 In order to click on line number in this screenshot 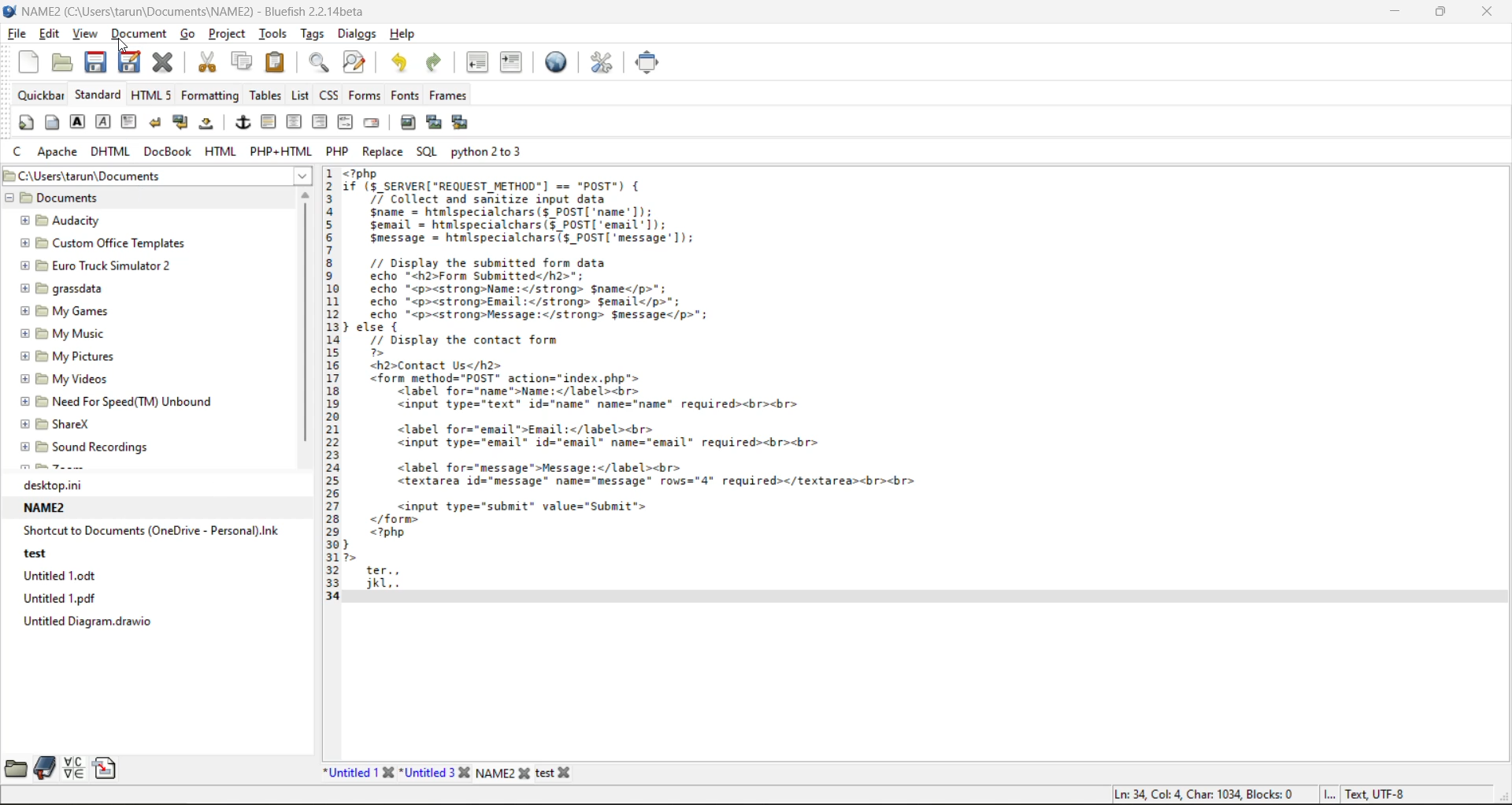, I will do `click(330, 389)`.